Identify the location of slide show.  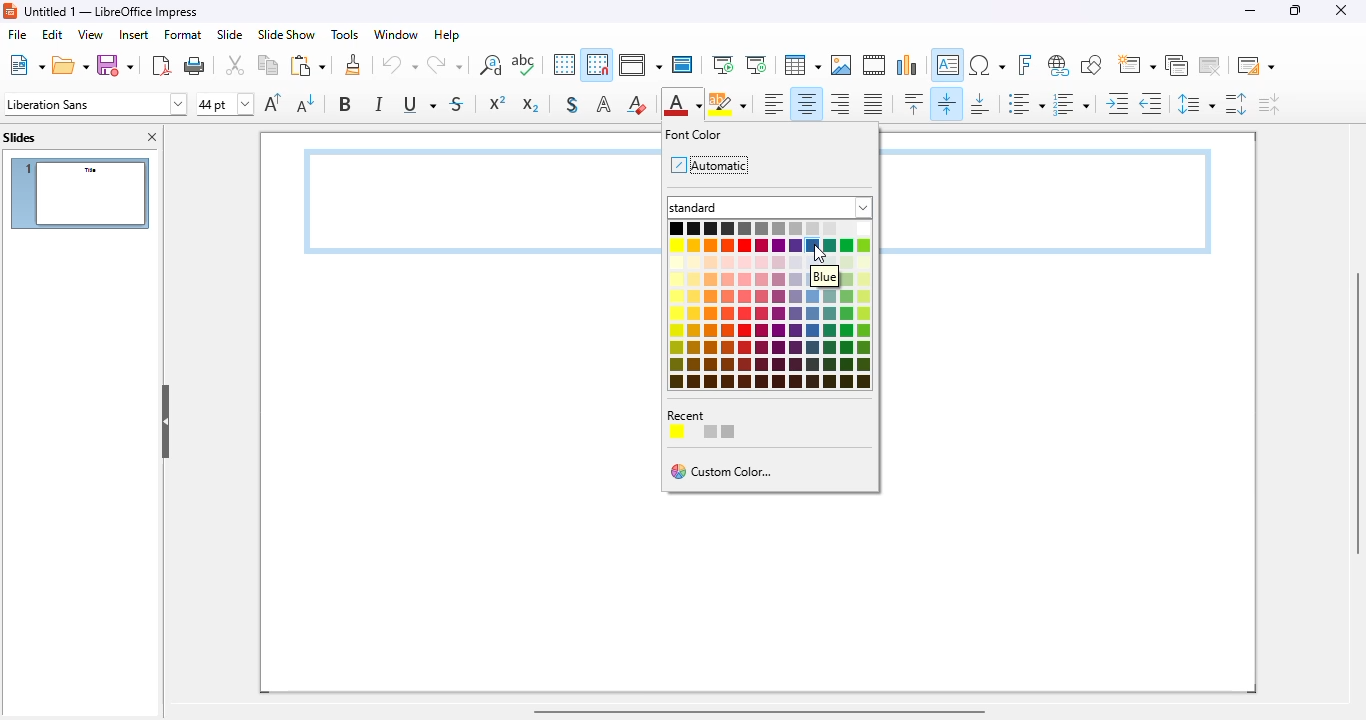
(288, 34).